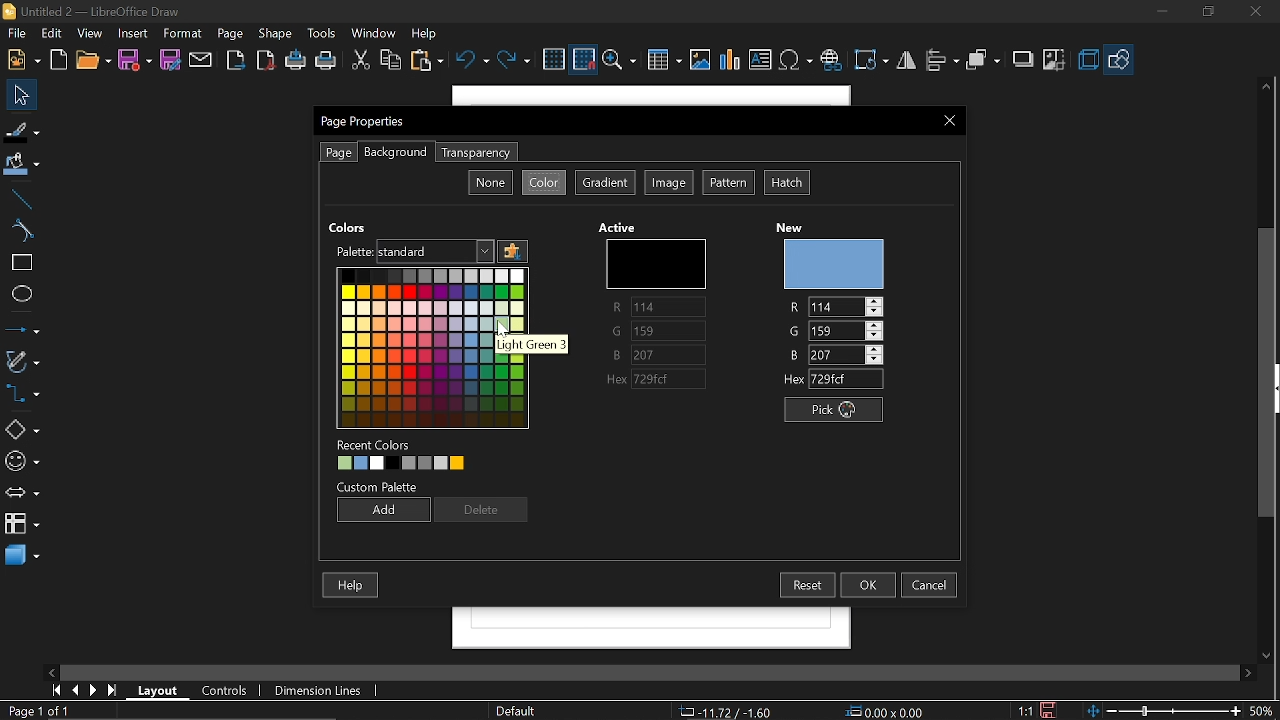 The height and width of the screenshot is (720, 1280). What do you see at coordinates (134, 61) in the screenshot?
I see `Save` at bounding box center [134, 61].